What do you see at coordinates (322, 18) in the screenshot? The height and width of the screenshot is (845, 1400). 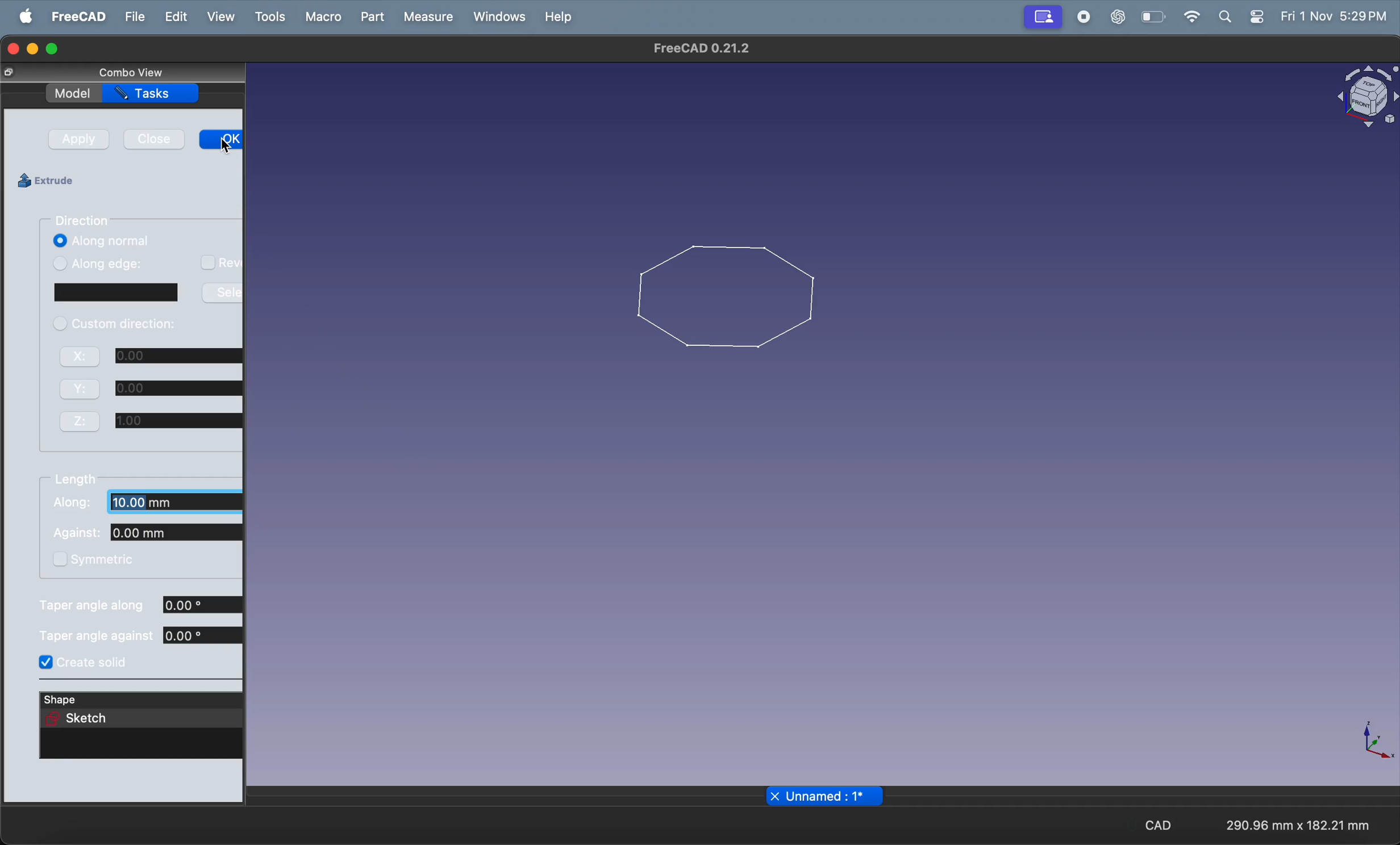 I see `marco` at bounding box center [322, 18].